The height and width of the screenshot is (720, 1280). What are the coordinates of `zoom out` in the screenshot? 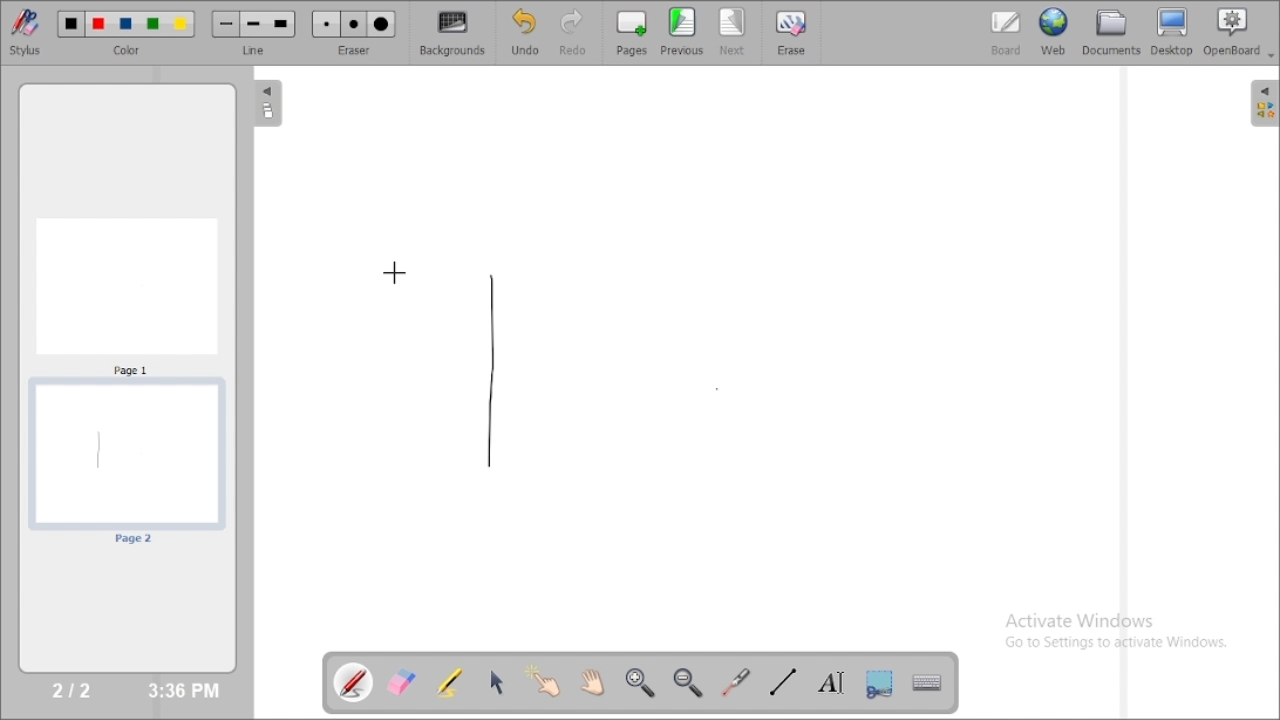 It's located at (690, 683).